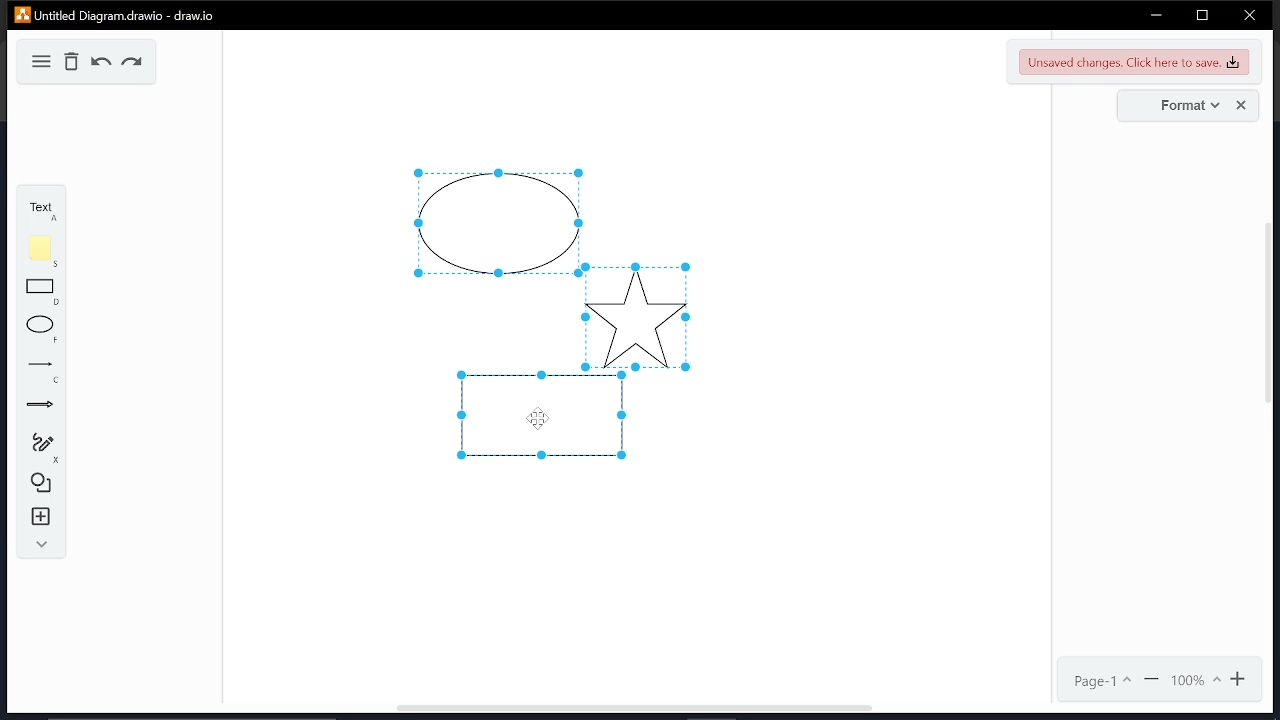  I want to click on note, so click(44, 251).